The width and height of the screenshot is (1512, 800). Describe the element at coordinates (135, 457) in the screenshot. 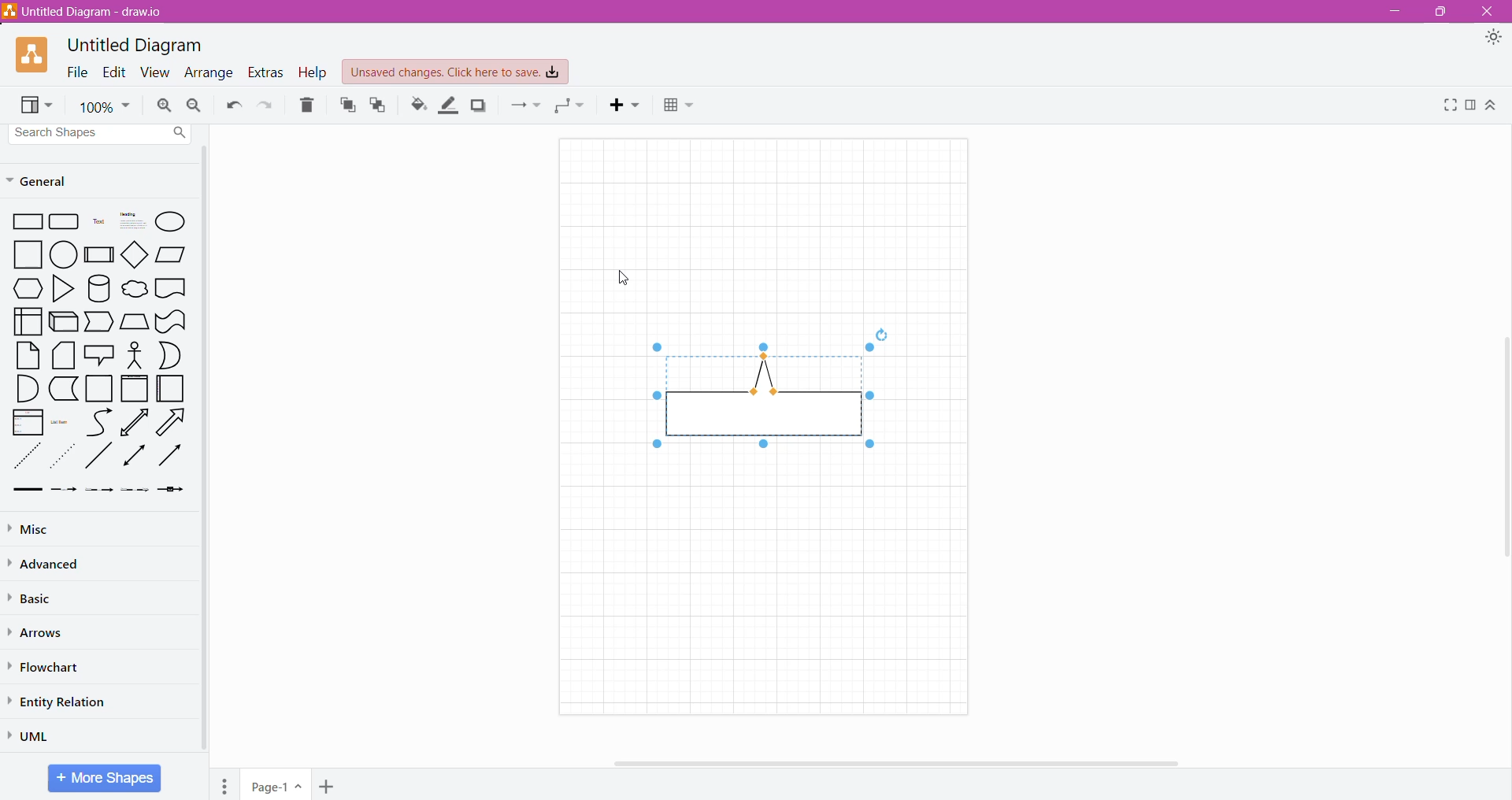

I see `Double Arrow ` at that location.